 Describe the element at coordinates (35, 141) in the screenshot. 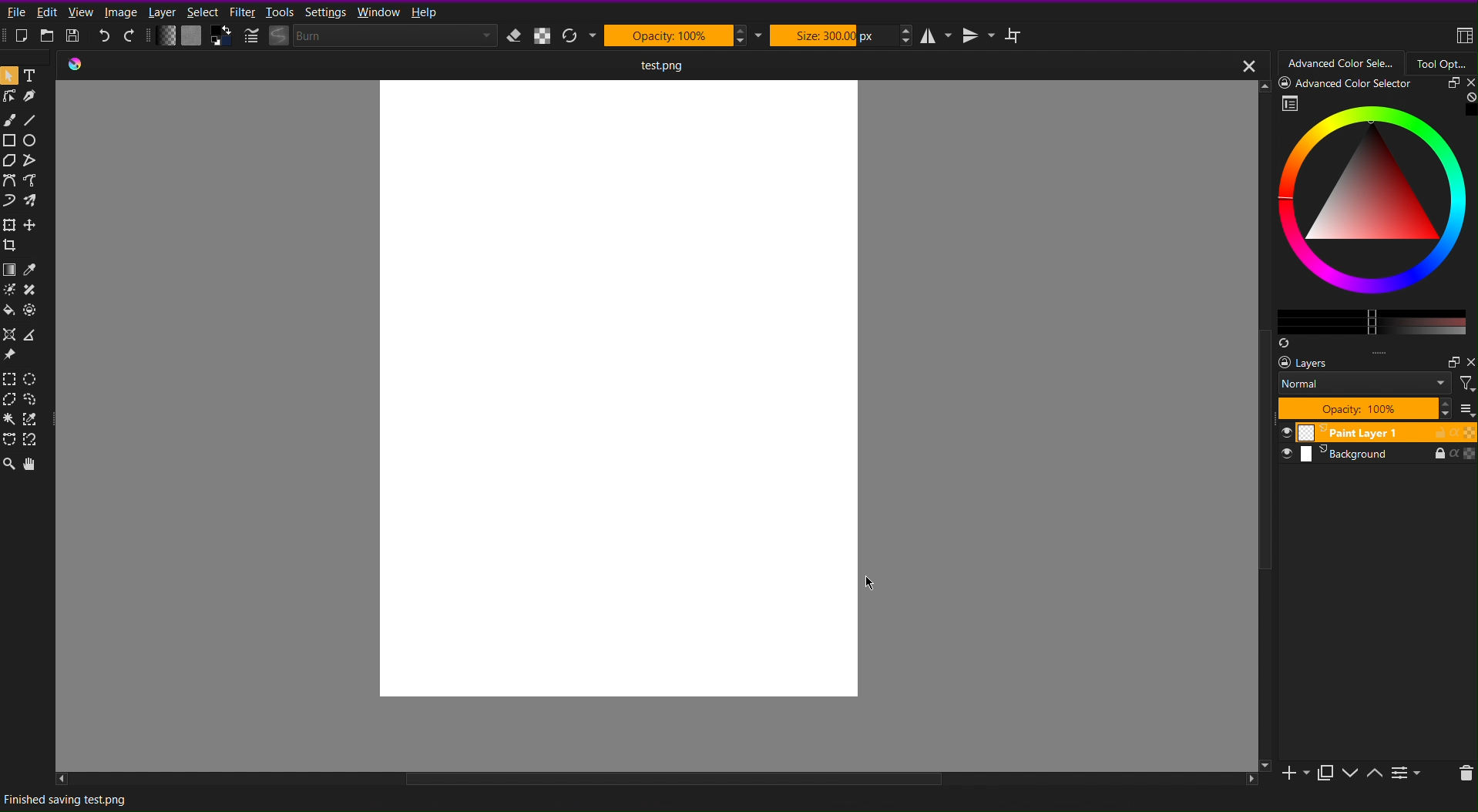

I see `Circle` at that location.